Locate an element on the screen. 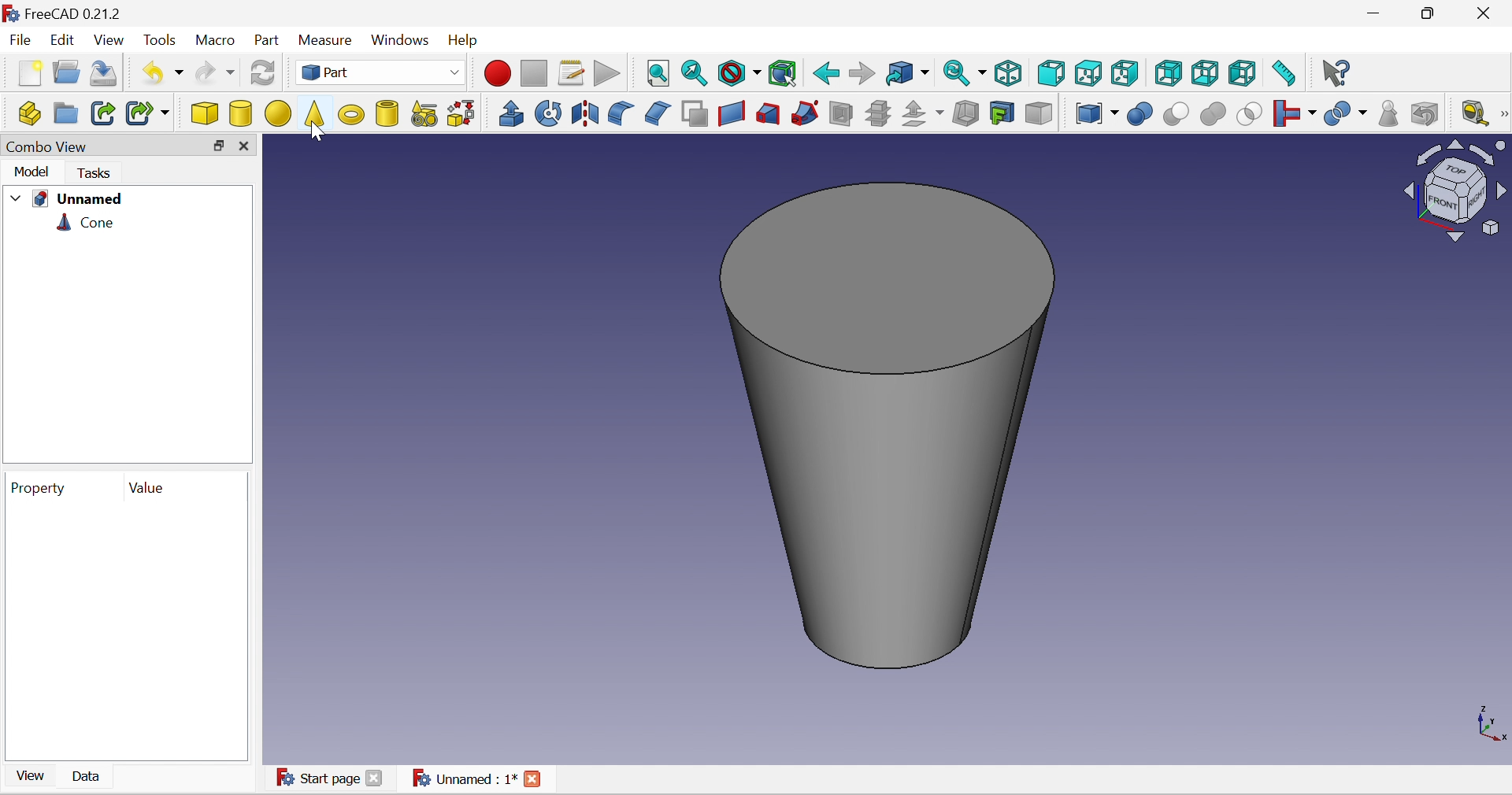  Create part is located at coordinates (29, 112).